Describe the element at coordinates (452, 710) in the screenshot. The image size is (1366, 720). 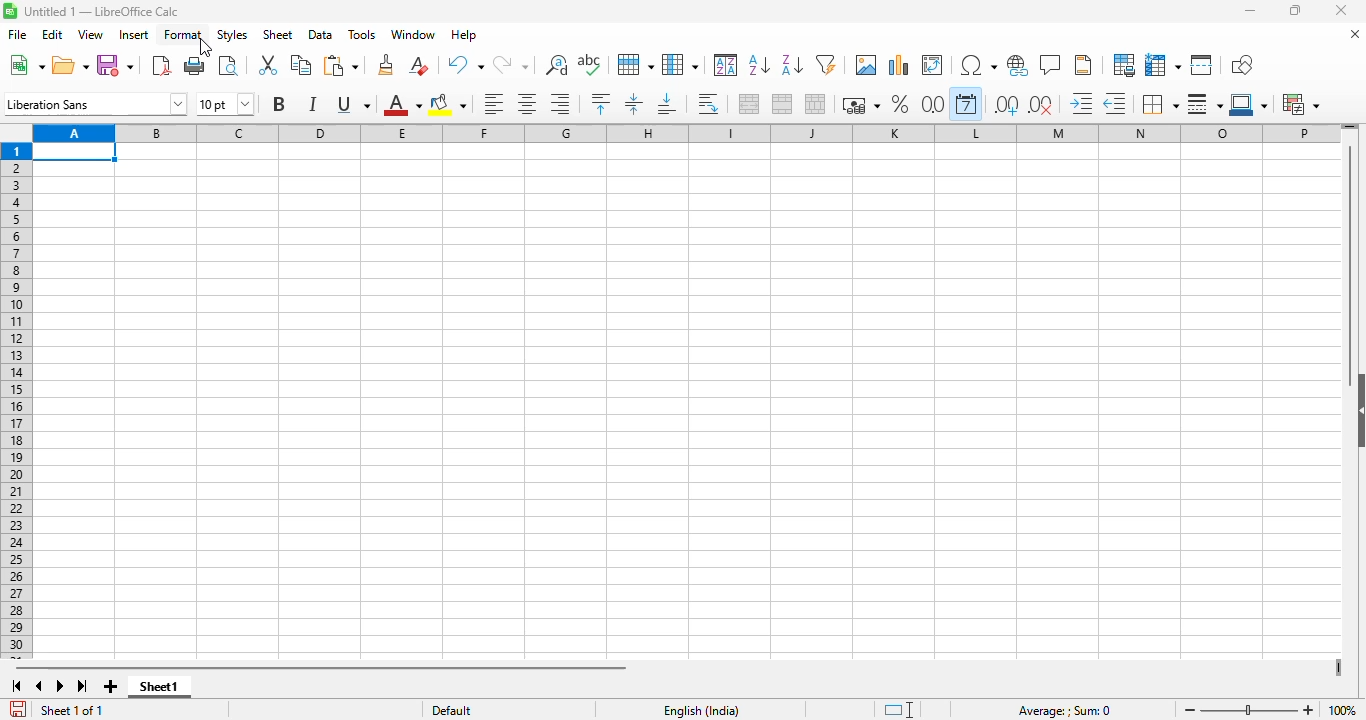
I see `default` at that location.